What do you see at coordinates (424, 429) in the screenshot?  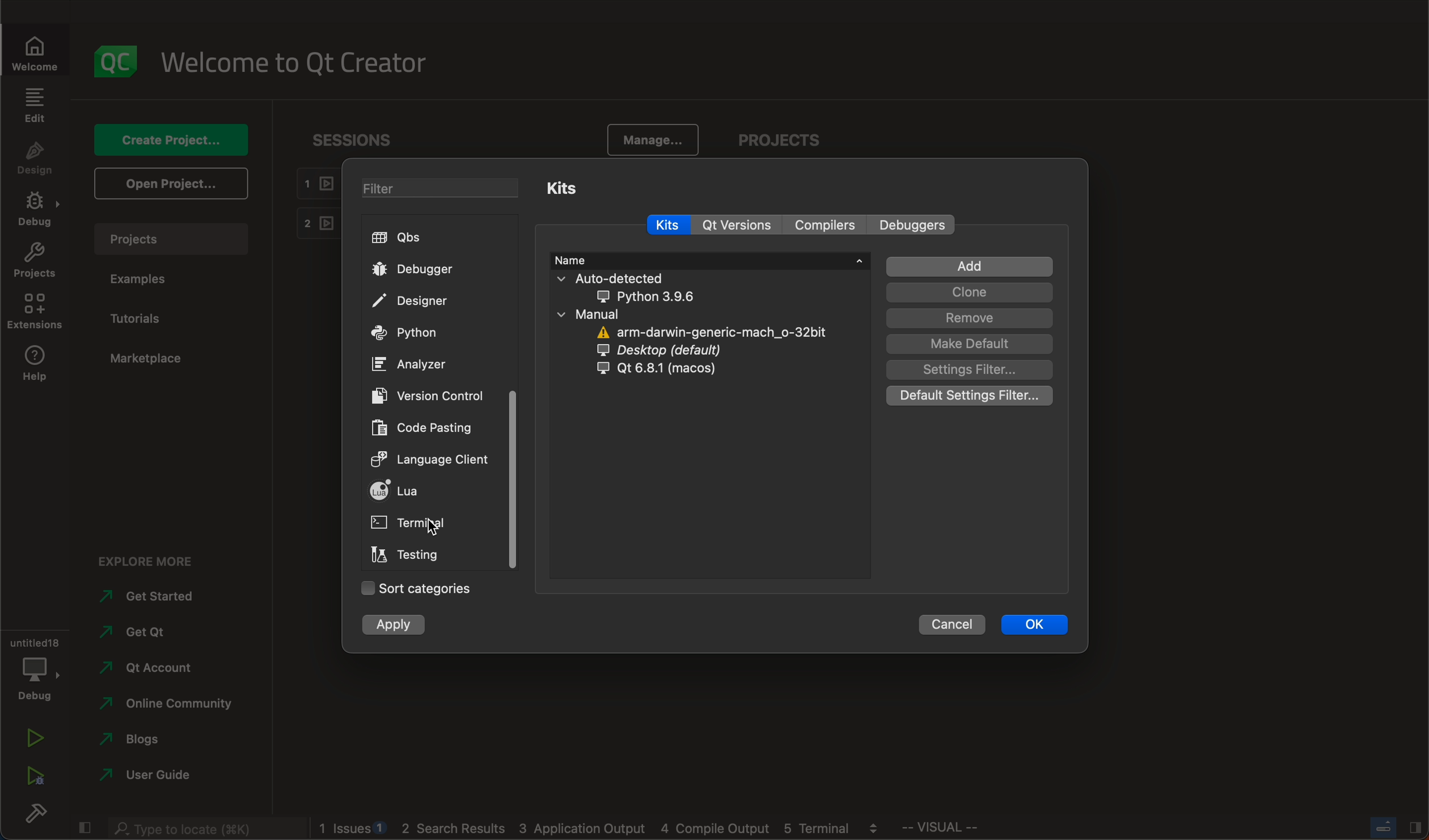 I see `code` at bounding box center [424, 429].